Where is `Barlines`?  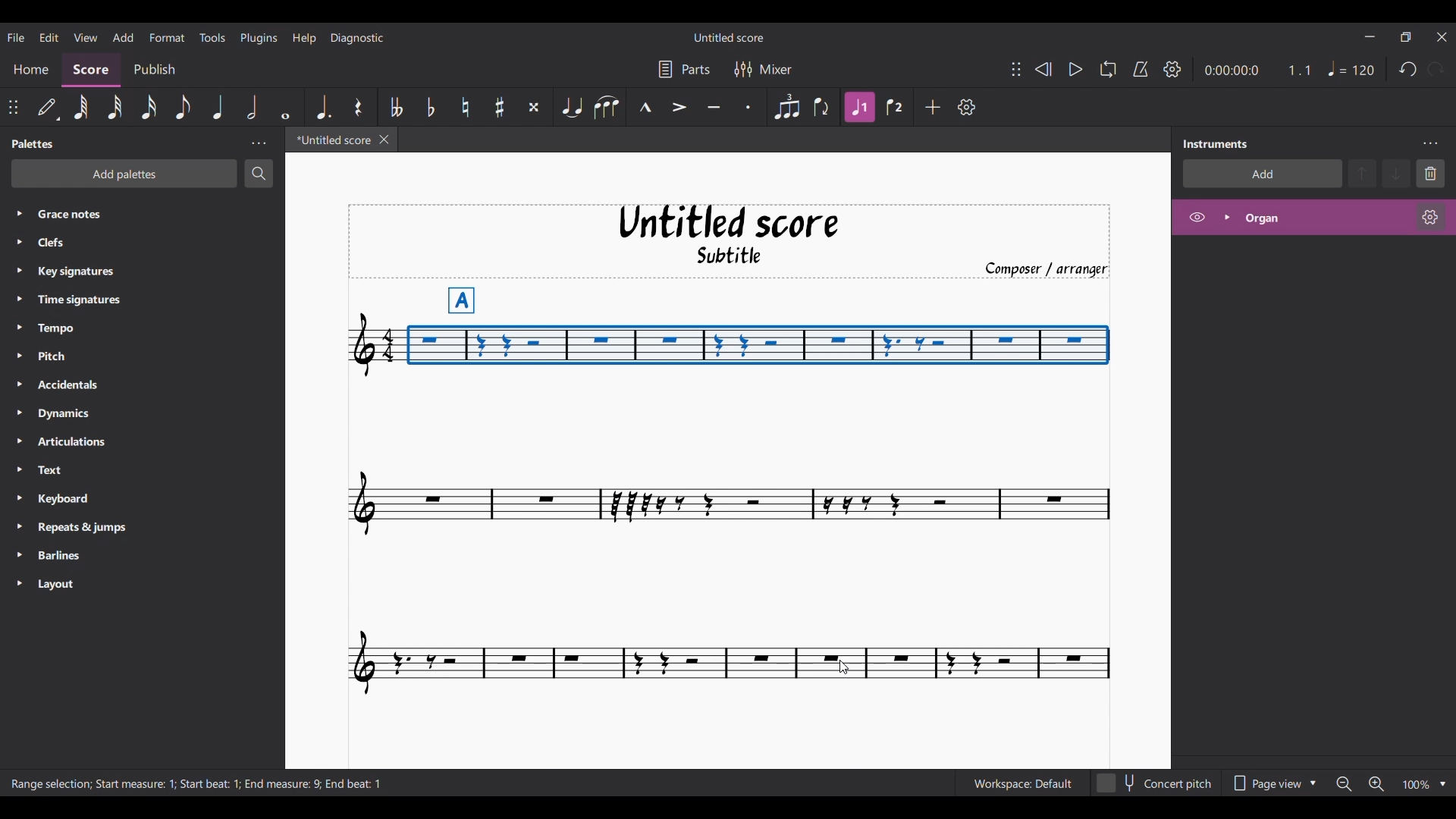
Barlines is located at coordinates (82, 557).